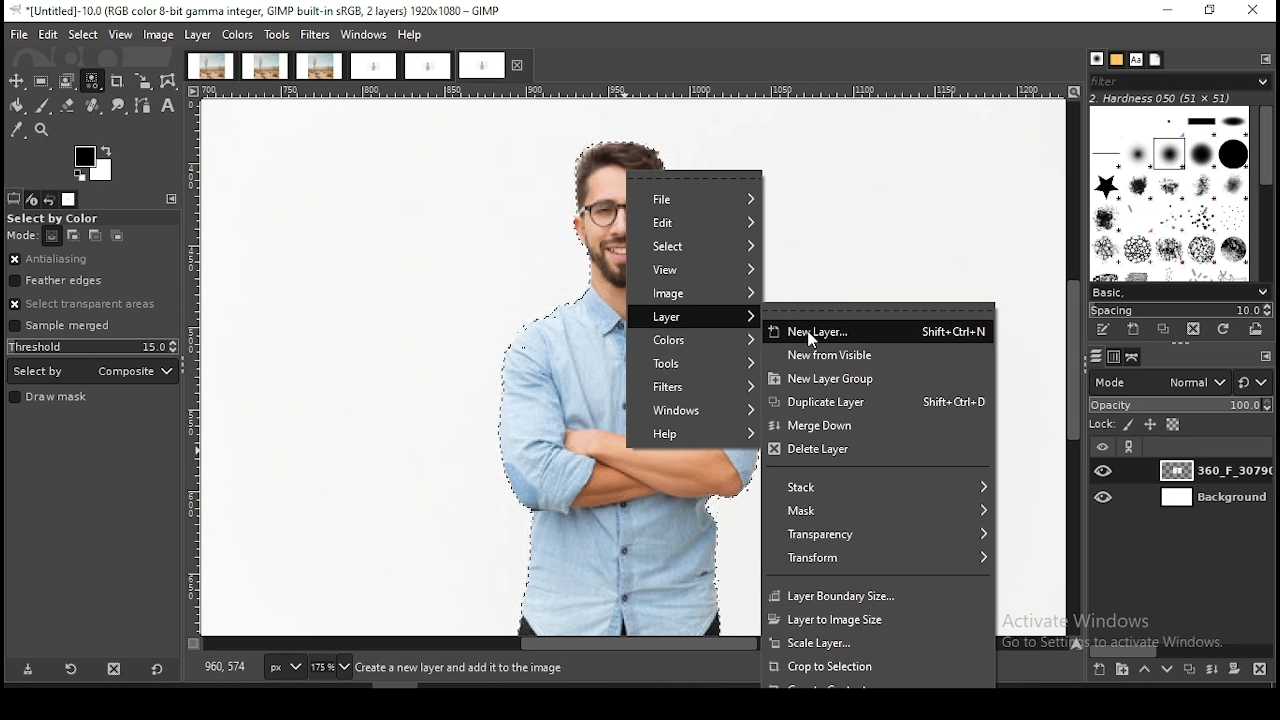 The height and width of the screenshot is (720, 1280). Describe the element at coordinates (1129, 426) in the screenshot. I see `lock pixels` at that location.